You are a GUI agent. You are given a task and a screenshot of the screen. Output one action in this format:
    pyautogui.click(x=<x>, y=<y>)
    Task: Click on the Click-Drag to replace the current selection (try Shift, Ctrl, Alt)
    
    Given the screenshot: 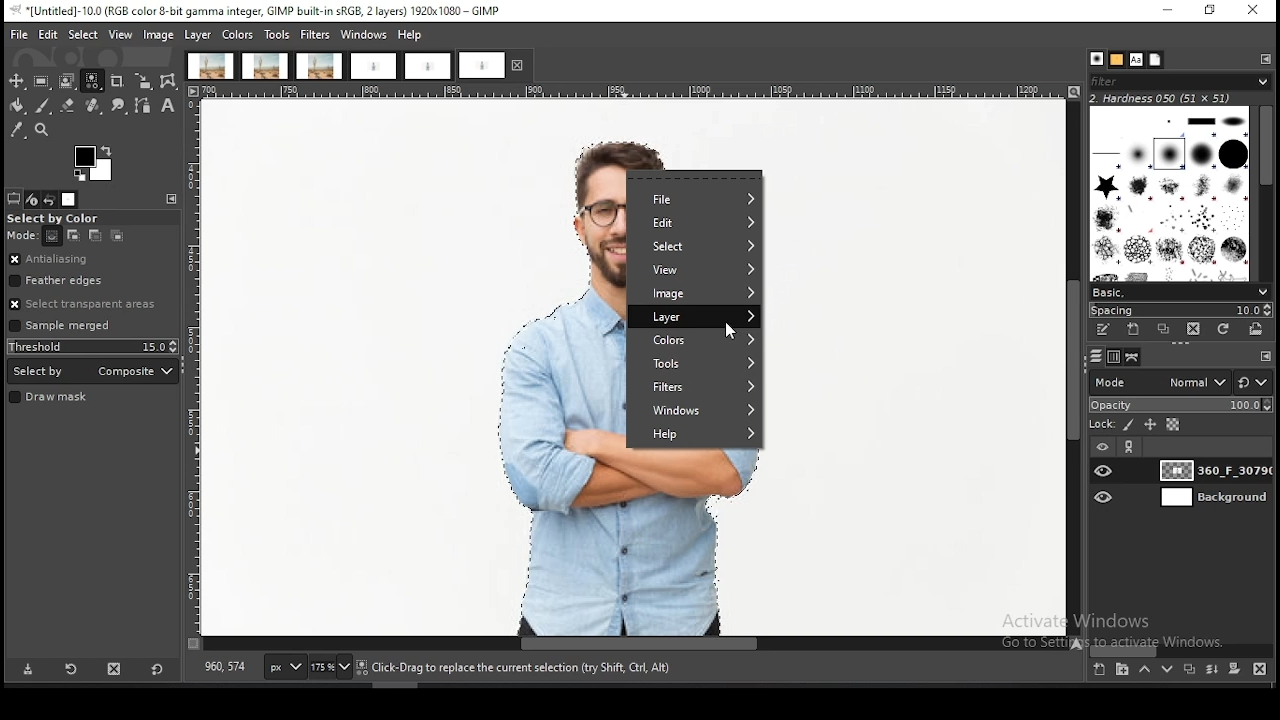 What is the action you would take?
    pyautogui.click(x=520, y=668)
    